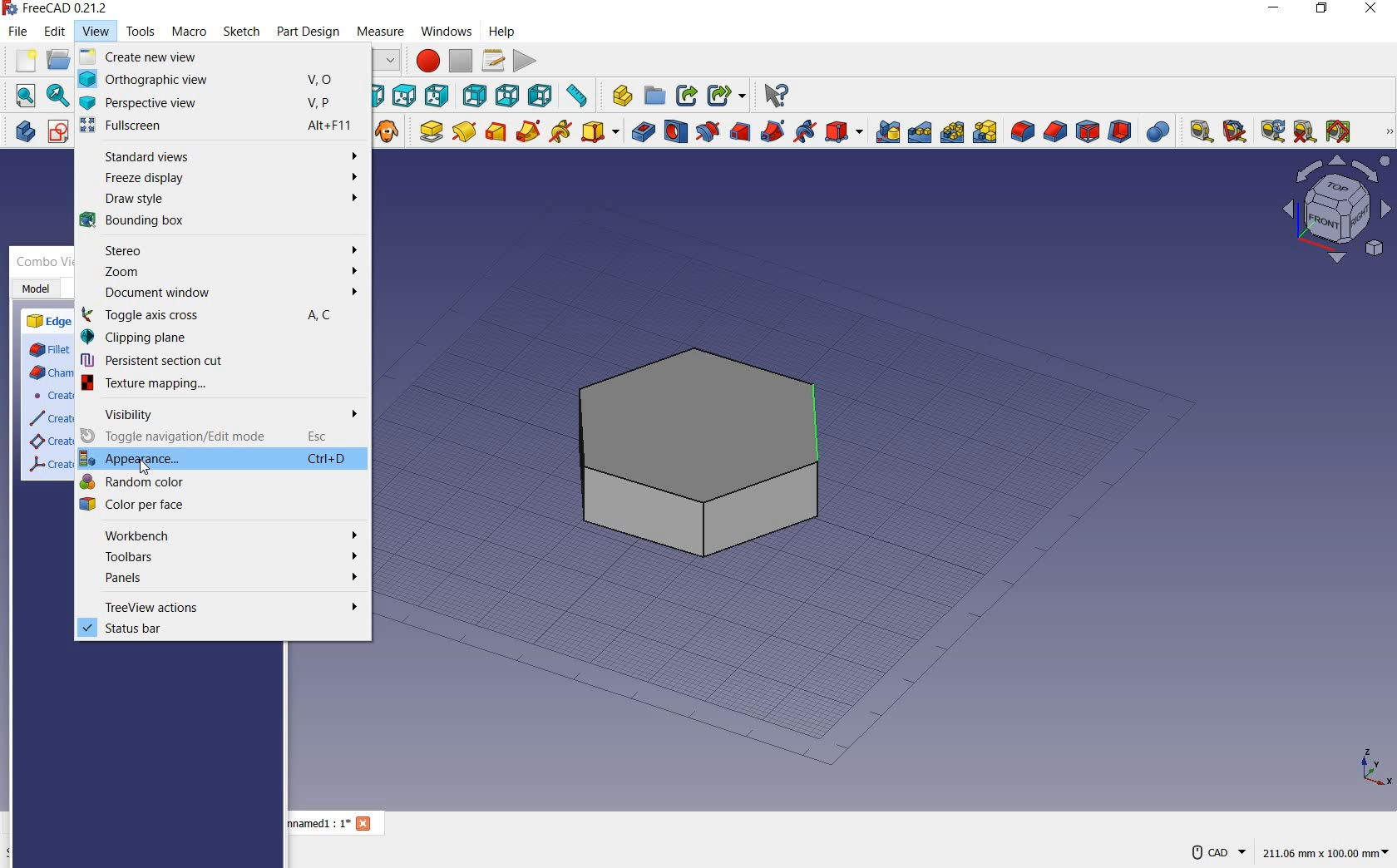 Image resolution: width=1397 pixels, height=868 pixels. Describe the element at coordinates (374, 96) in the screenshot. I see `front` at that location.